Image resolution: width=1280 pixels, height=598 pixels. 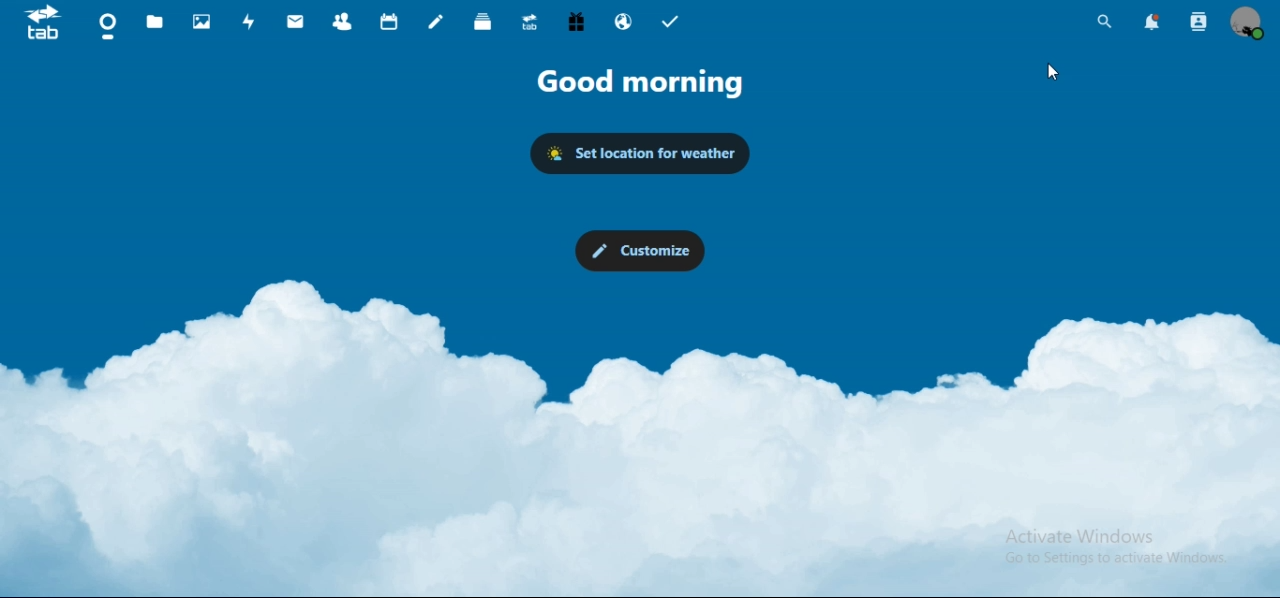 What do you see at coordinates (1106, 23) in the screenshot?
I see `search` at bounding box center [1106, 23].